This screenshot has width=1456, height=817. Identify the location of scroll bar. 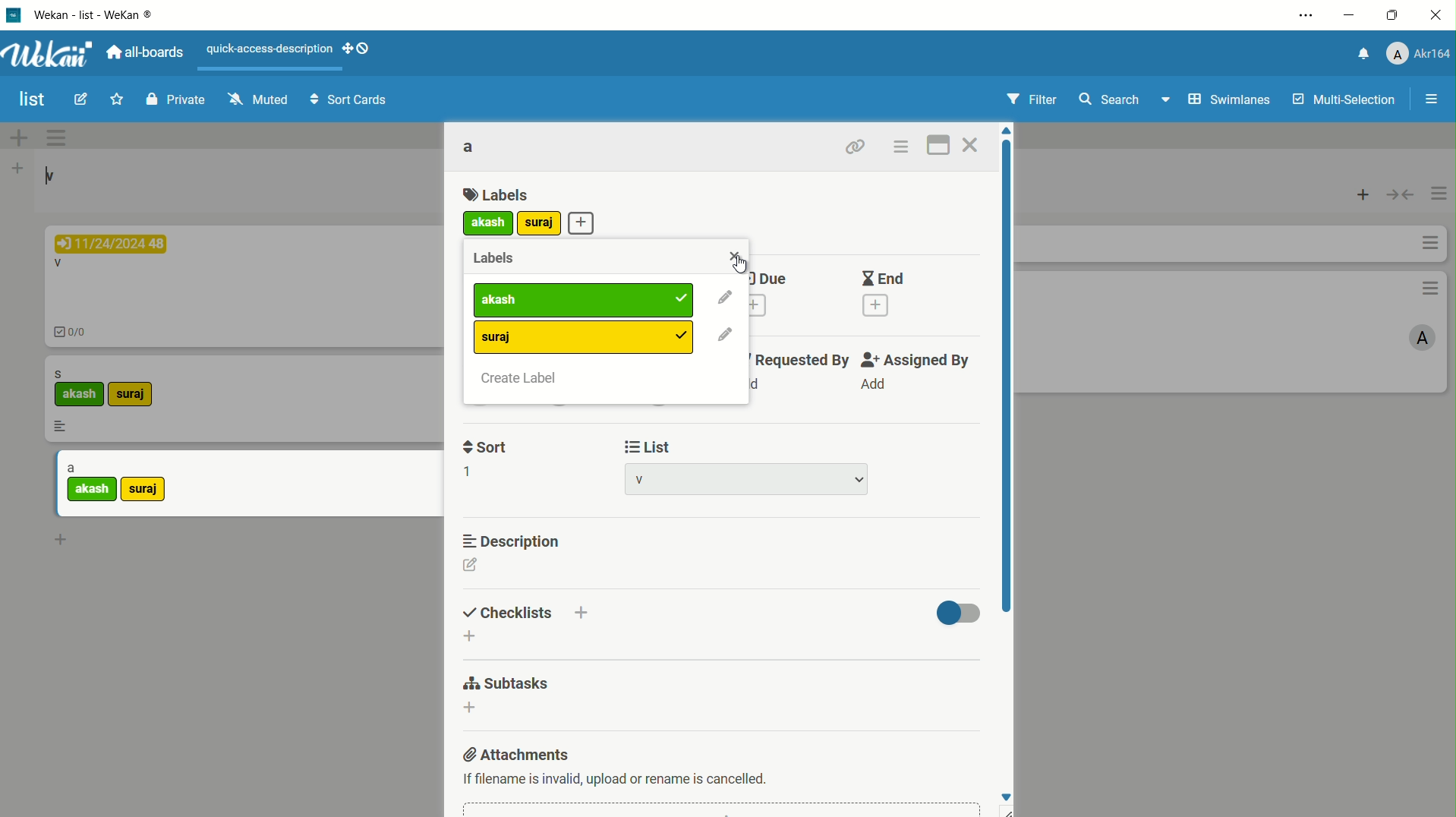
(1005, 376).